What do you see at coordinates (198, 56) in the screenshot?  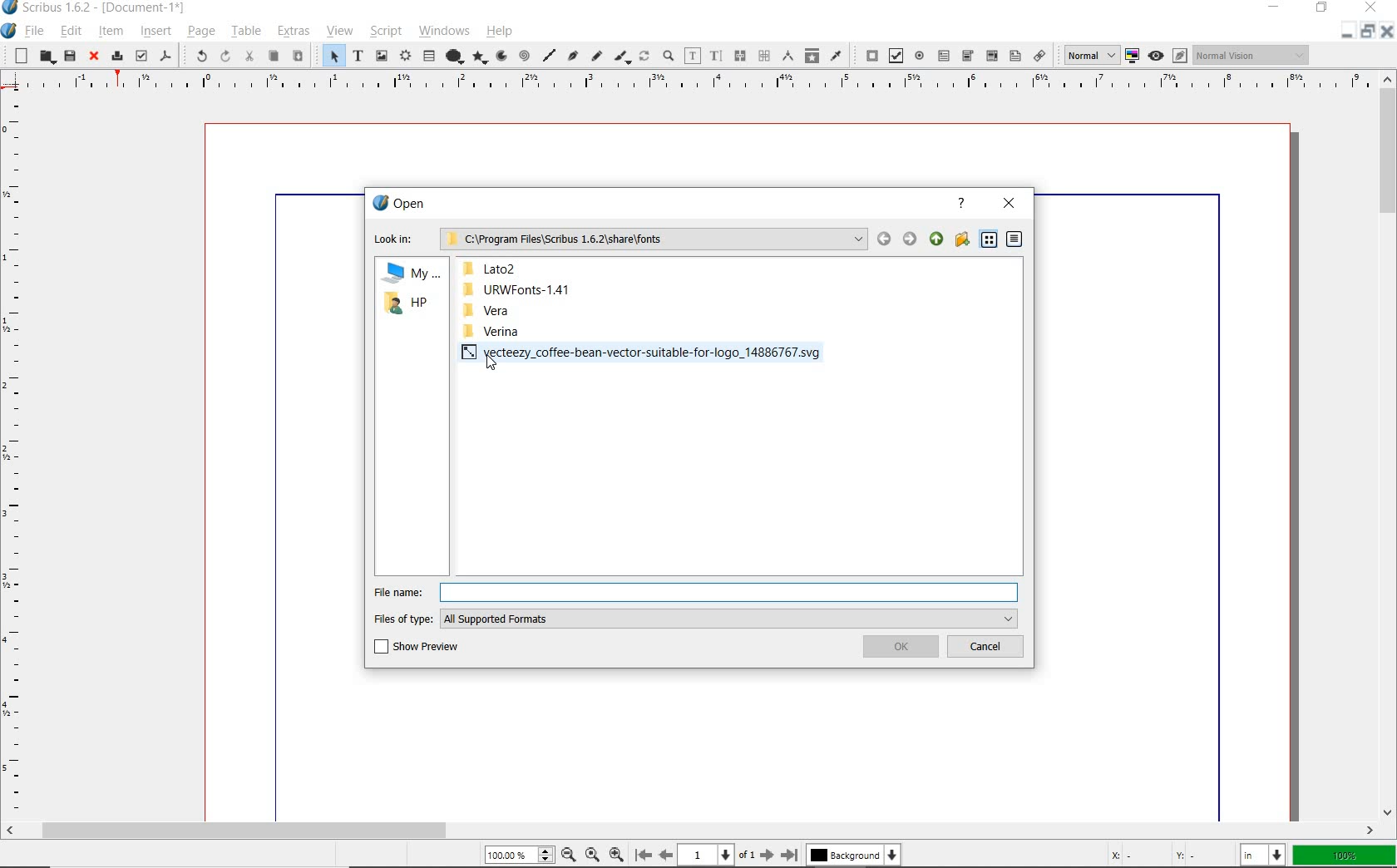 I see `undo` at bounding box center [198, 56].